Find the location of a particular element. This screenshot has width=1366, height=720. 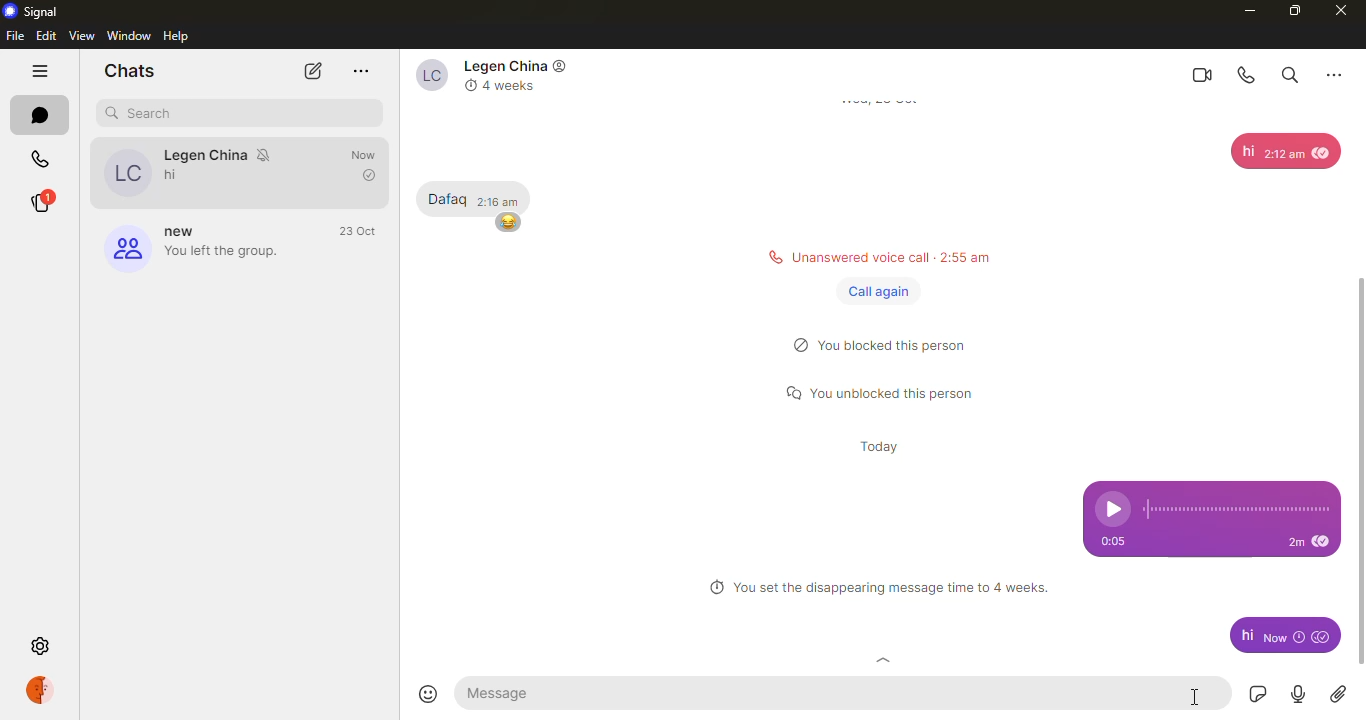

seen is located at coordinates (1323, 153).